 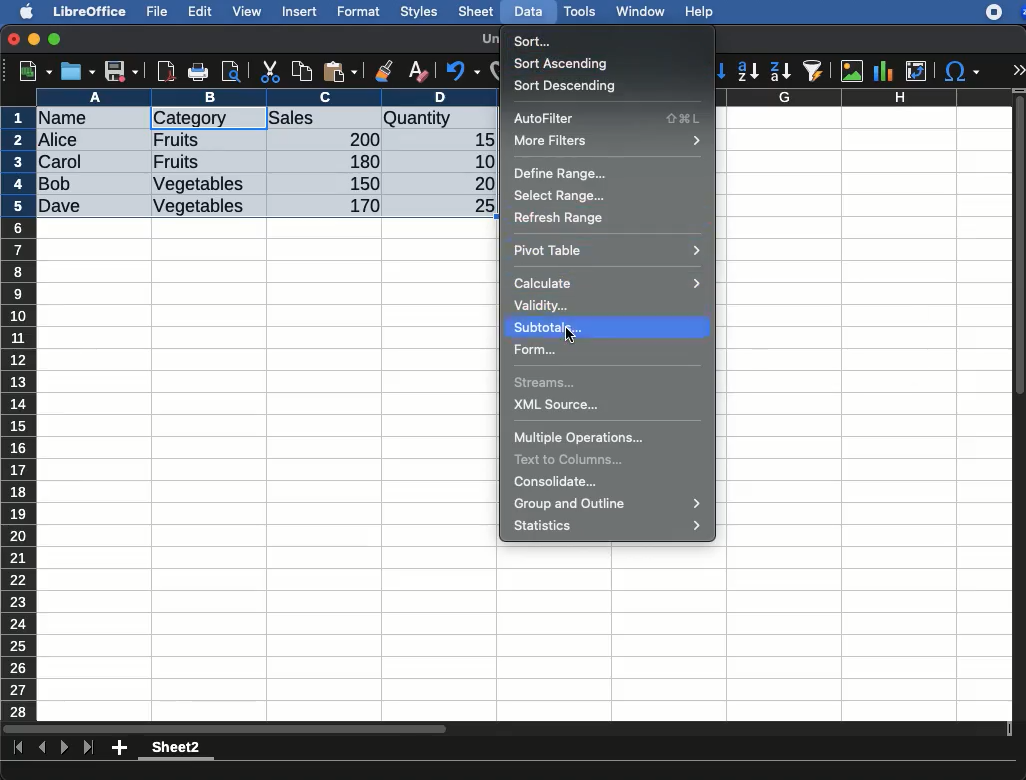 I want to click on help, so click(x=700, y=13).